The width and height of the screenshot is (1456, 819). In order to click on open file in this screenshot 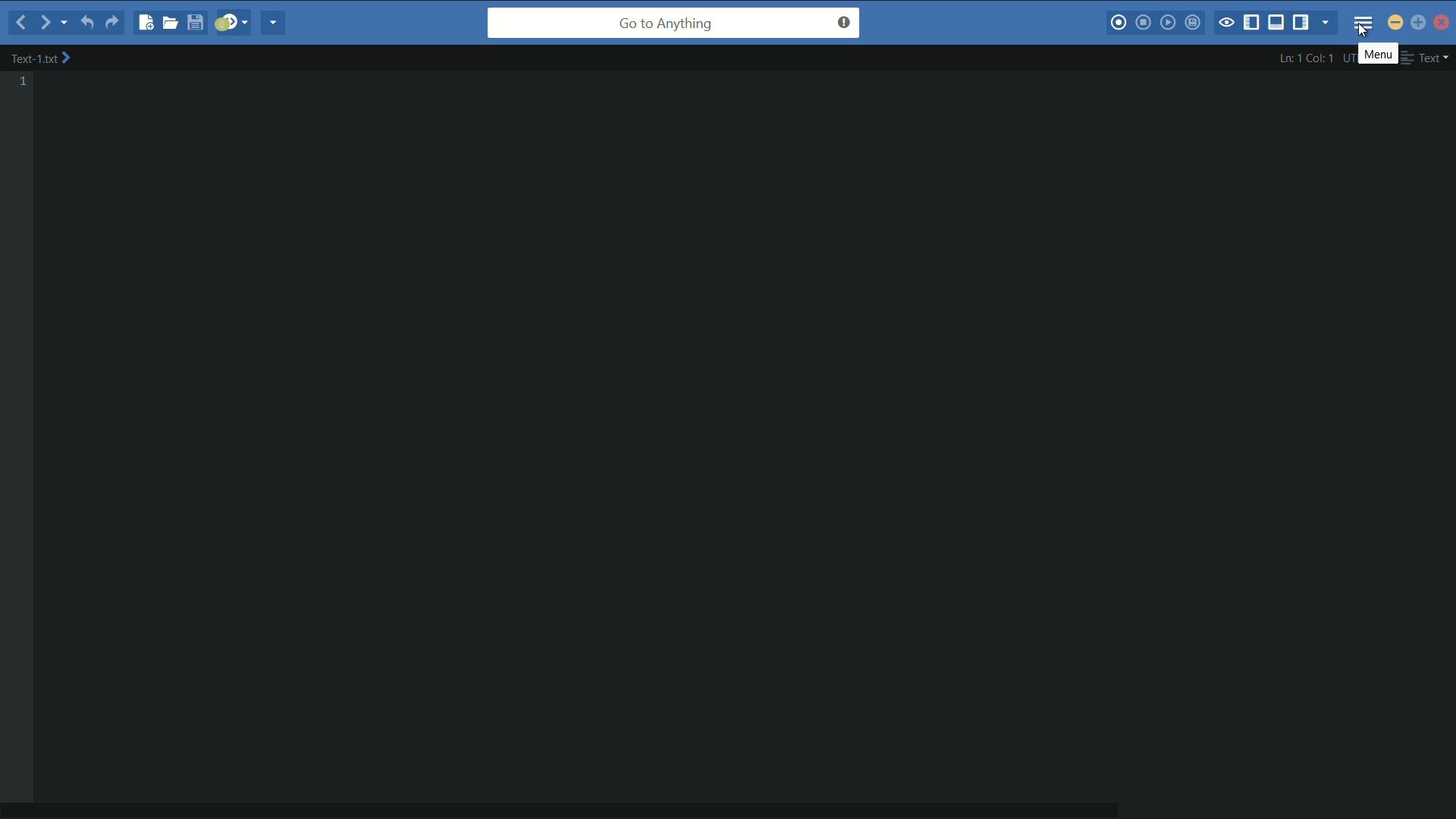, I will do `click(169, 24)`.